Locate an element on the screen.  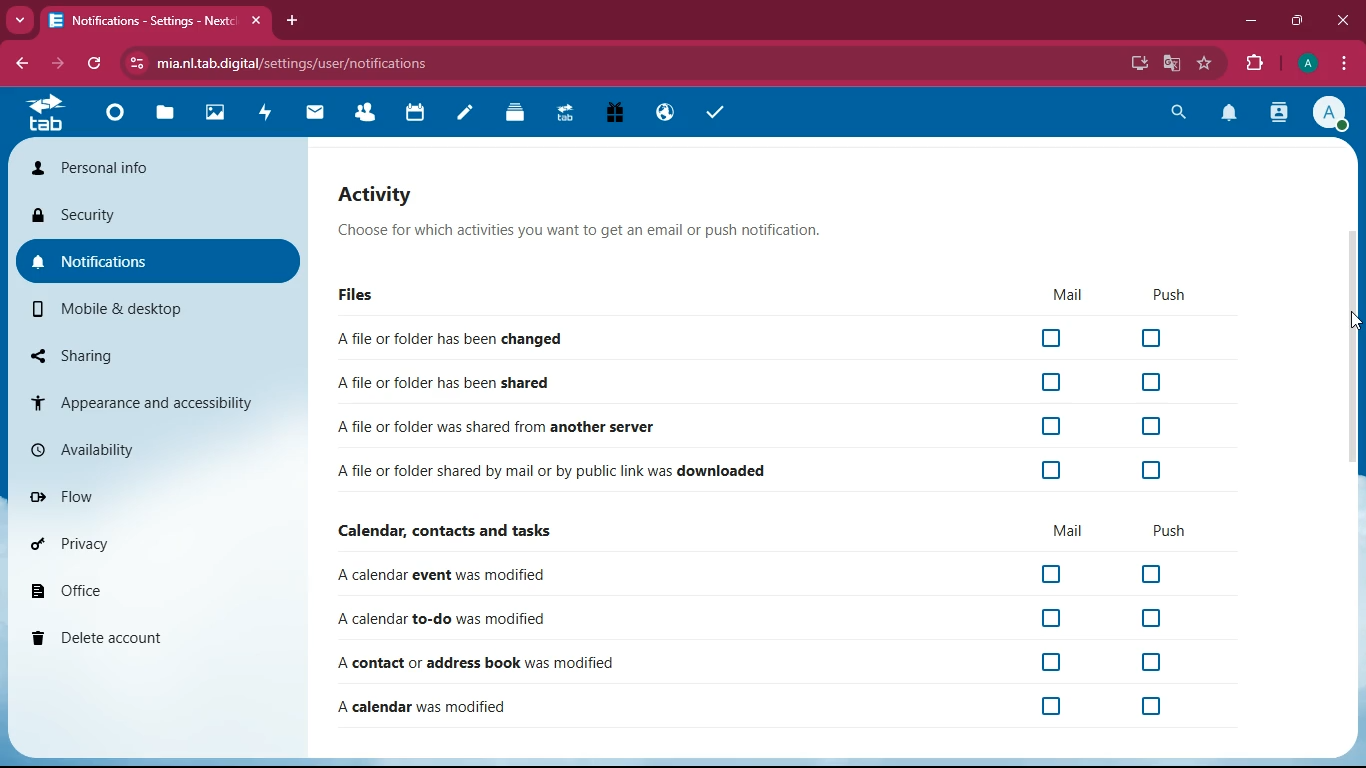
security is located at coordinates (158, 213).